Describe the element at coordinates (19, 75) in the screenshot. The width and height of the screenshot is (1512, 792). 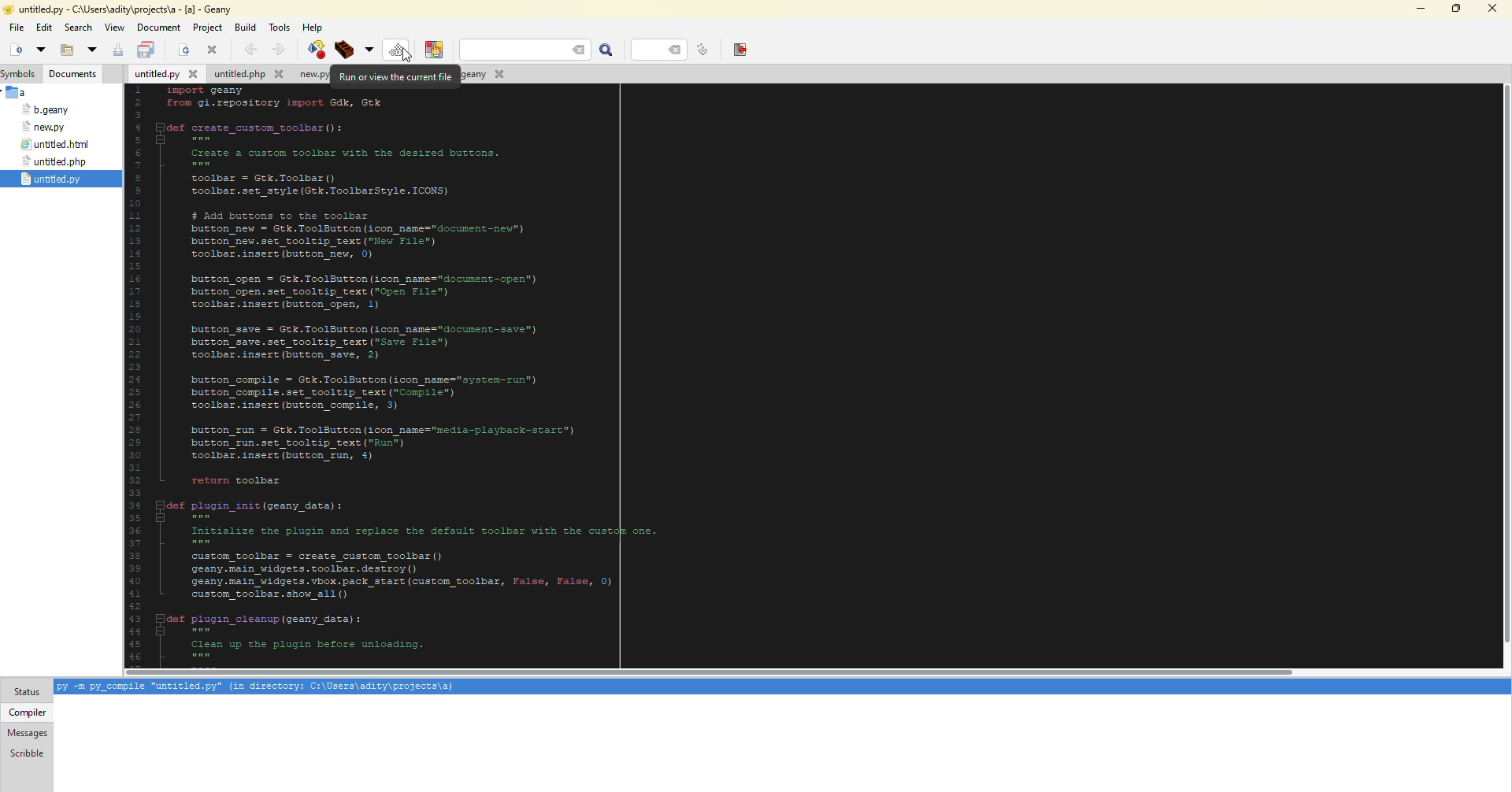
I see `symbols` at that location.